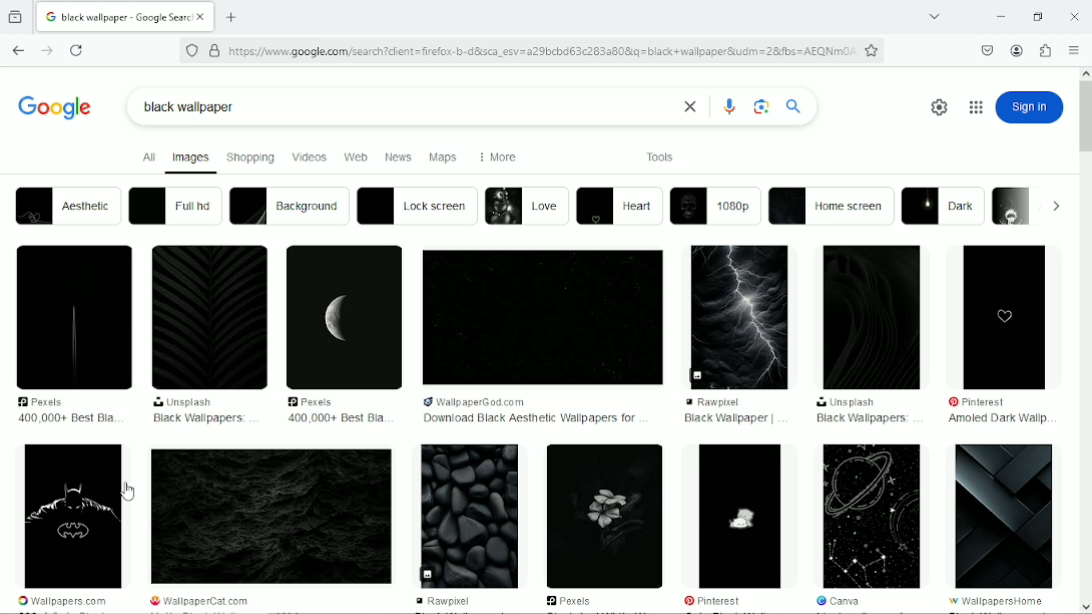  What do you see at coordinates (146, 157) in the screenshot?
I see `all` at bounding box center [146, 157].